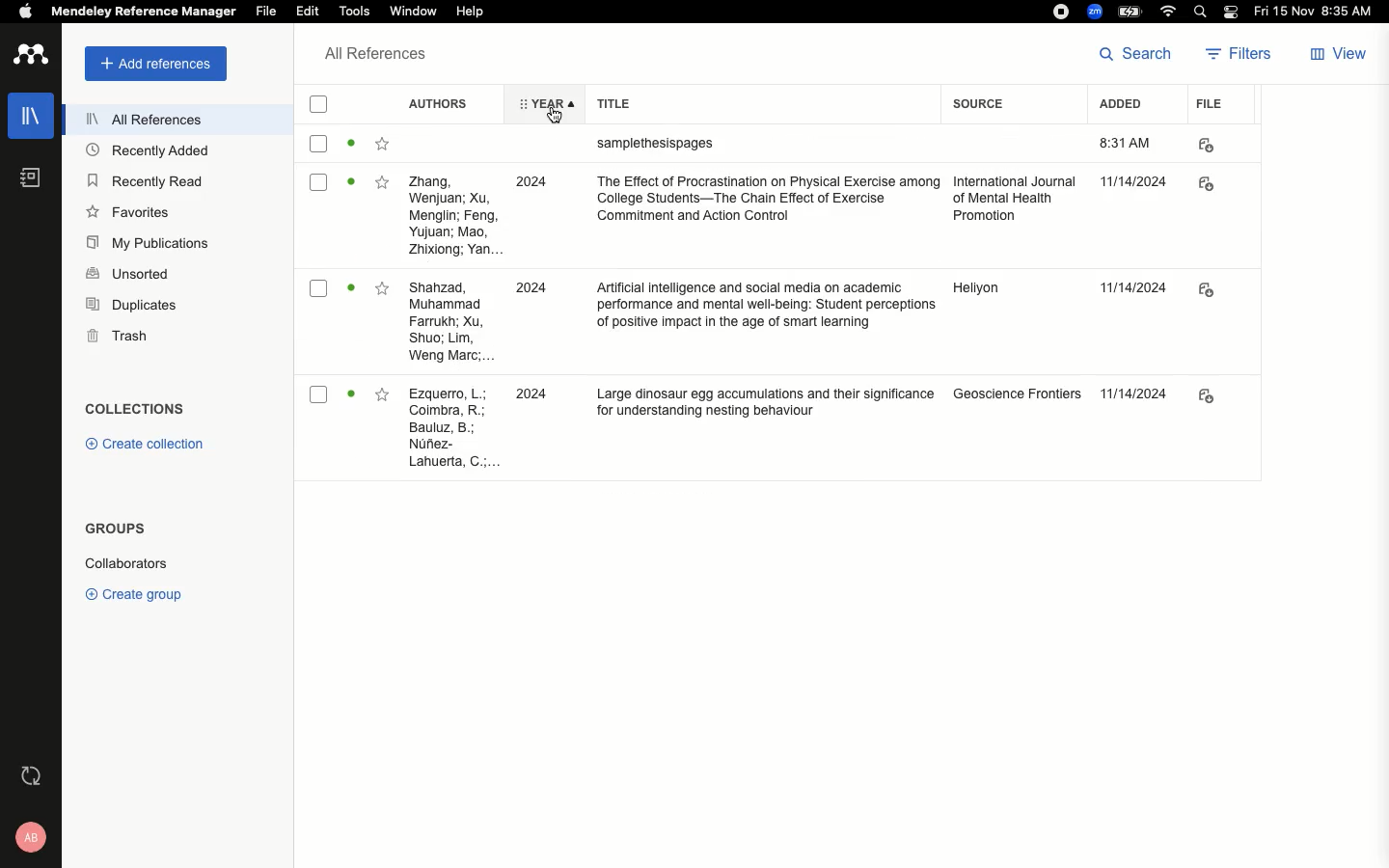 The width and height of the screenshot is (1389, 868). I want to click on added label, so click(1127, 104).